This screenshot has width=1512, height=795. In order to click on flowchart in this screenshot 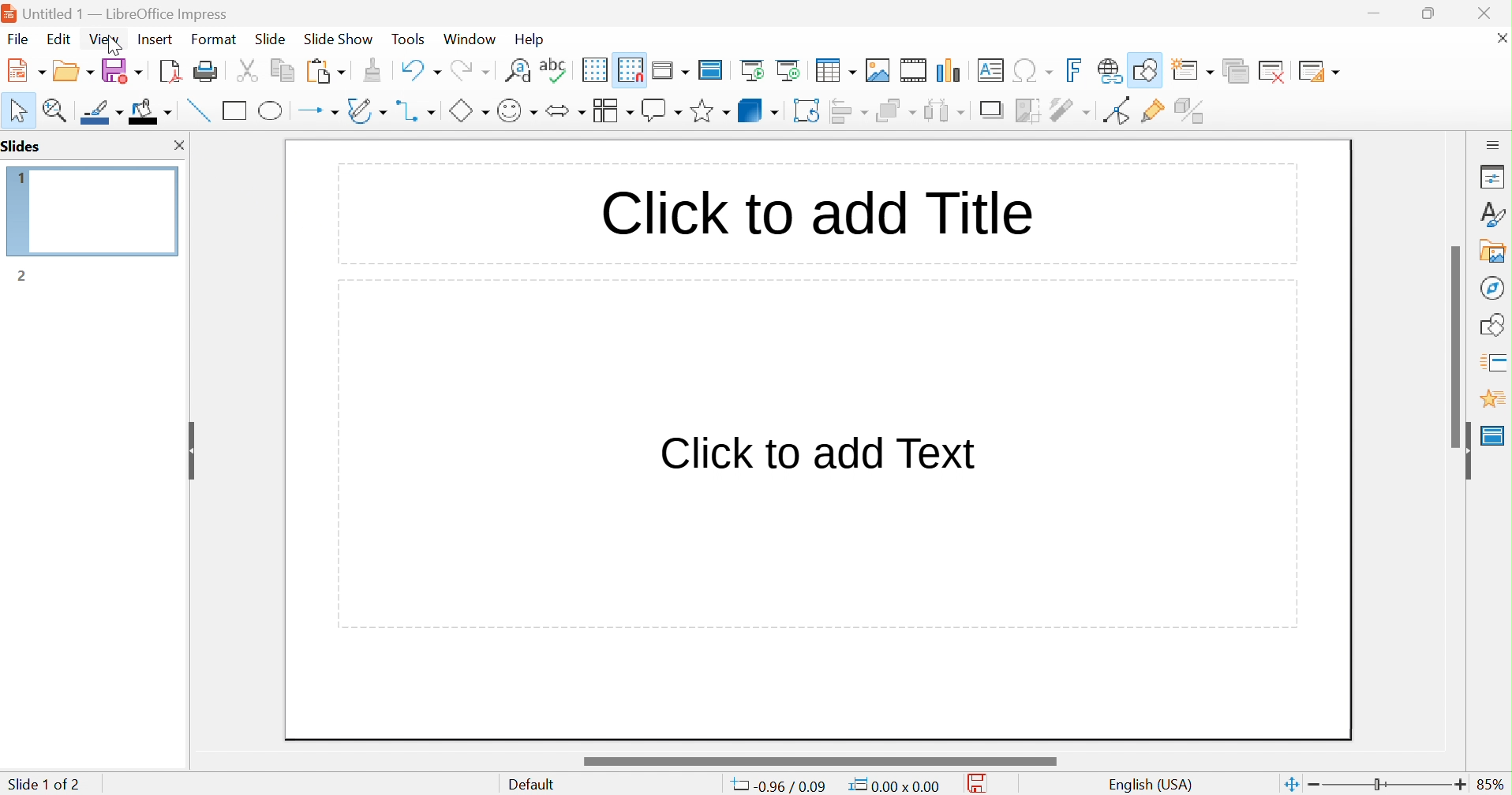, I will do `click(612, 110)`.